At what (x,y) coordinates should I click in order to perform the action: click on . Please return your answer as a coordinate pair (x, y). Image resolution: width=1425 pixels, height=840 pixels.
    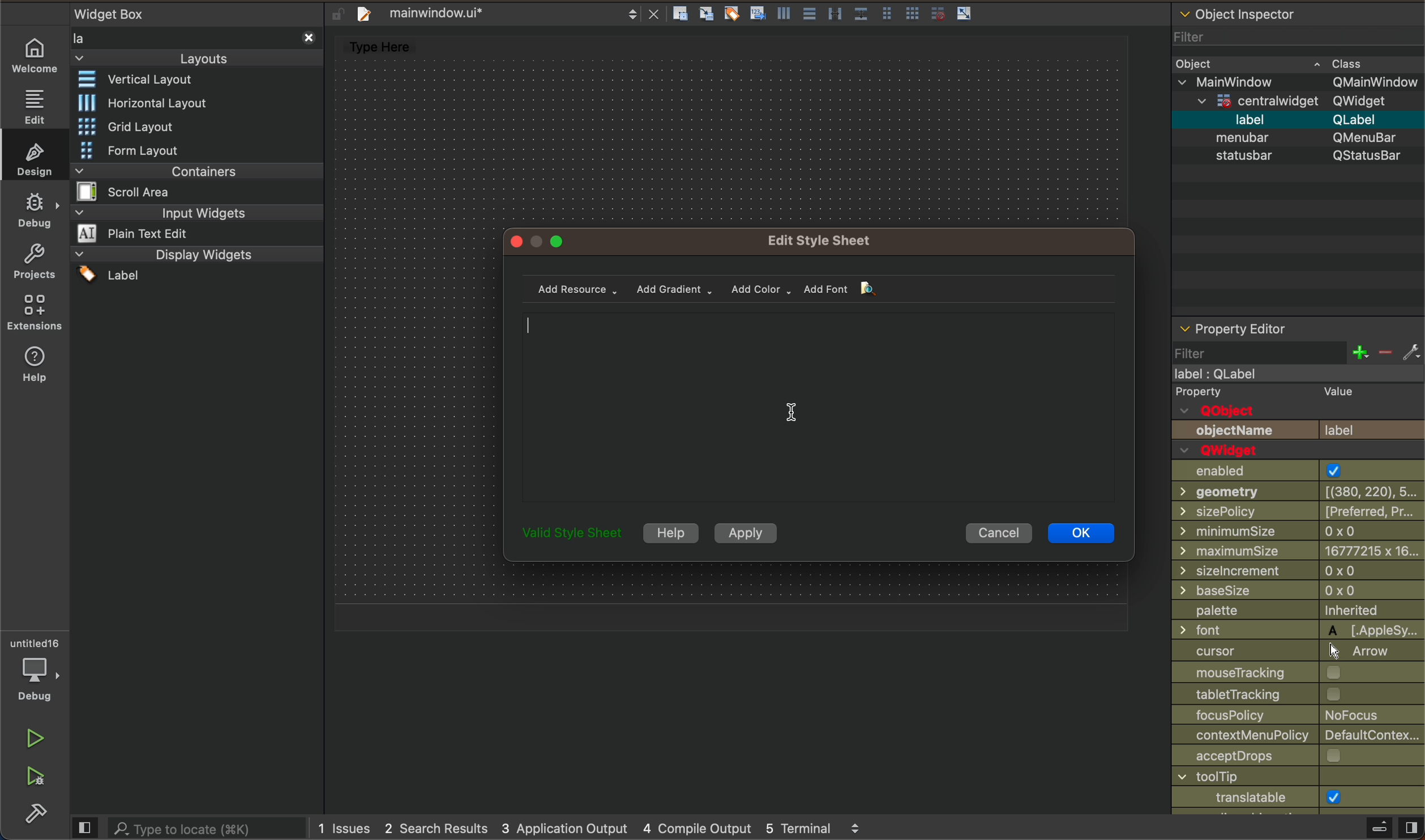
    Looking at the image, I should click on (1296, 629).